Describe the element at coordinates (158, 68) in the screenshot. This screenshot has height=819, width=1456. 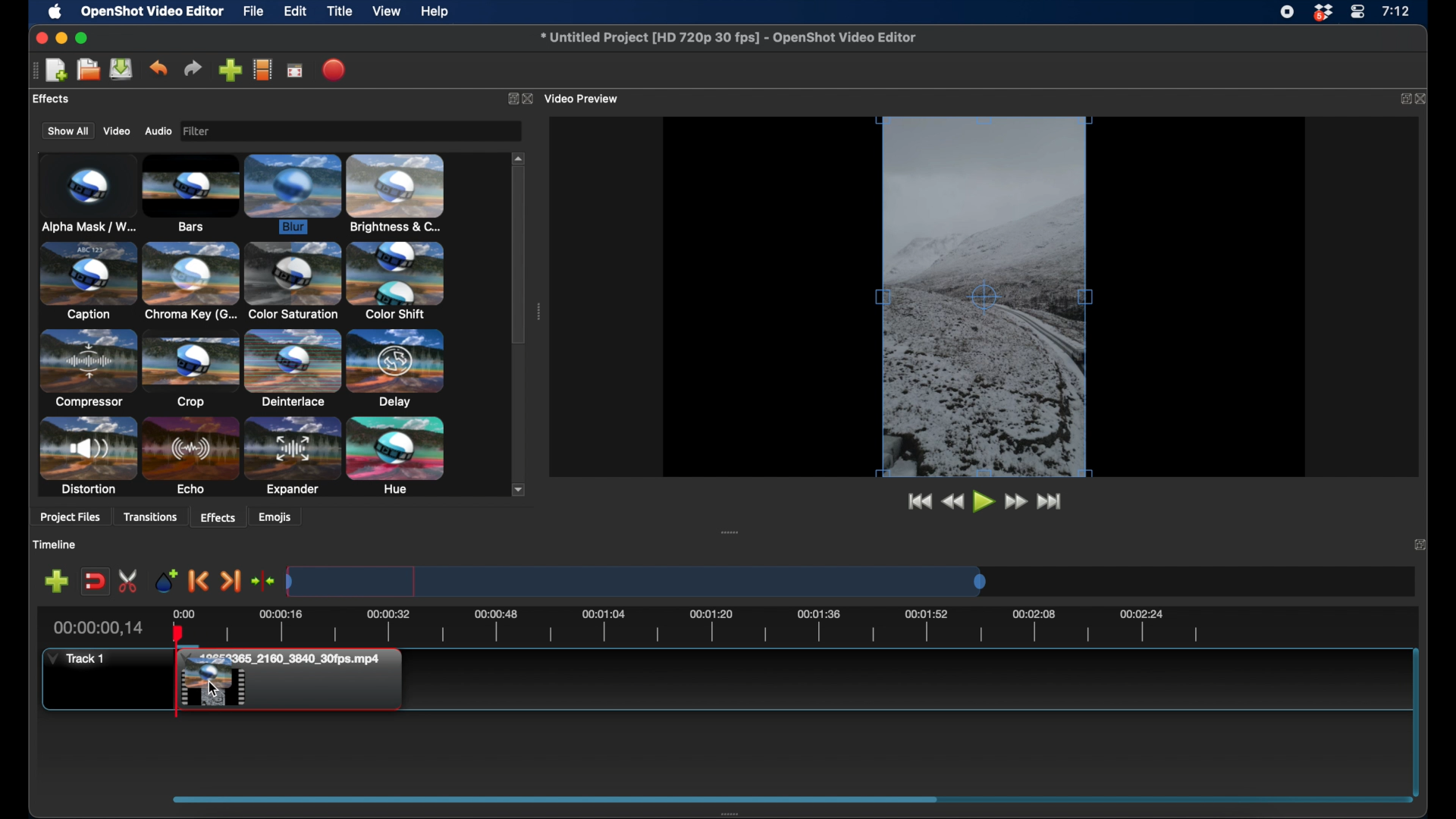
I see `undo` at that location.